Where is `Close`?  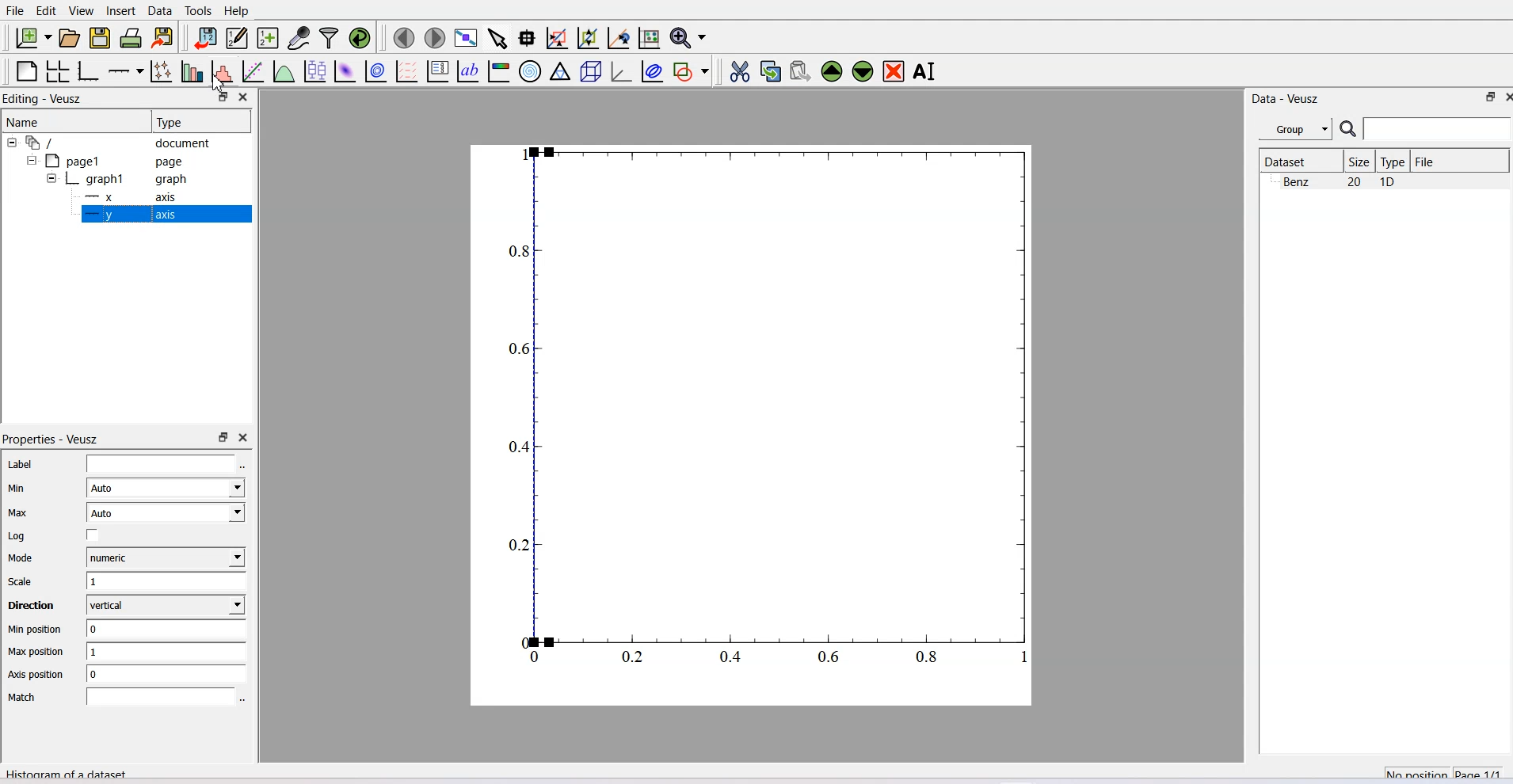
Close is located at coordinates (244, 438).